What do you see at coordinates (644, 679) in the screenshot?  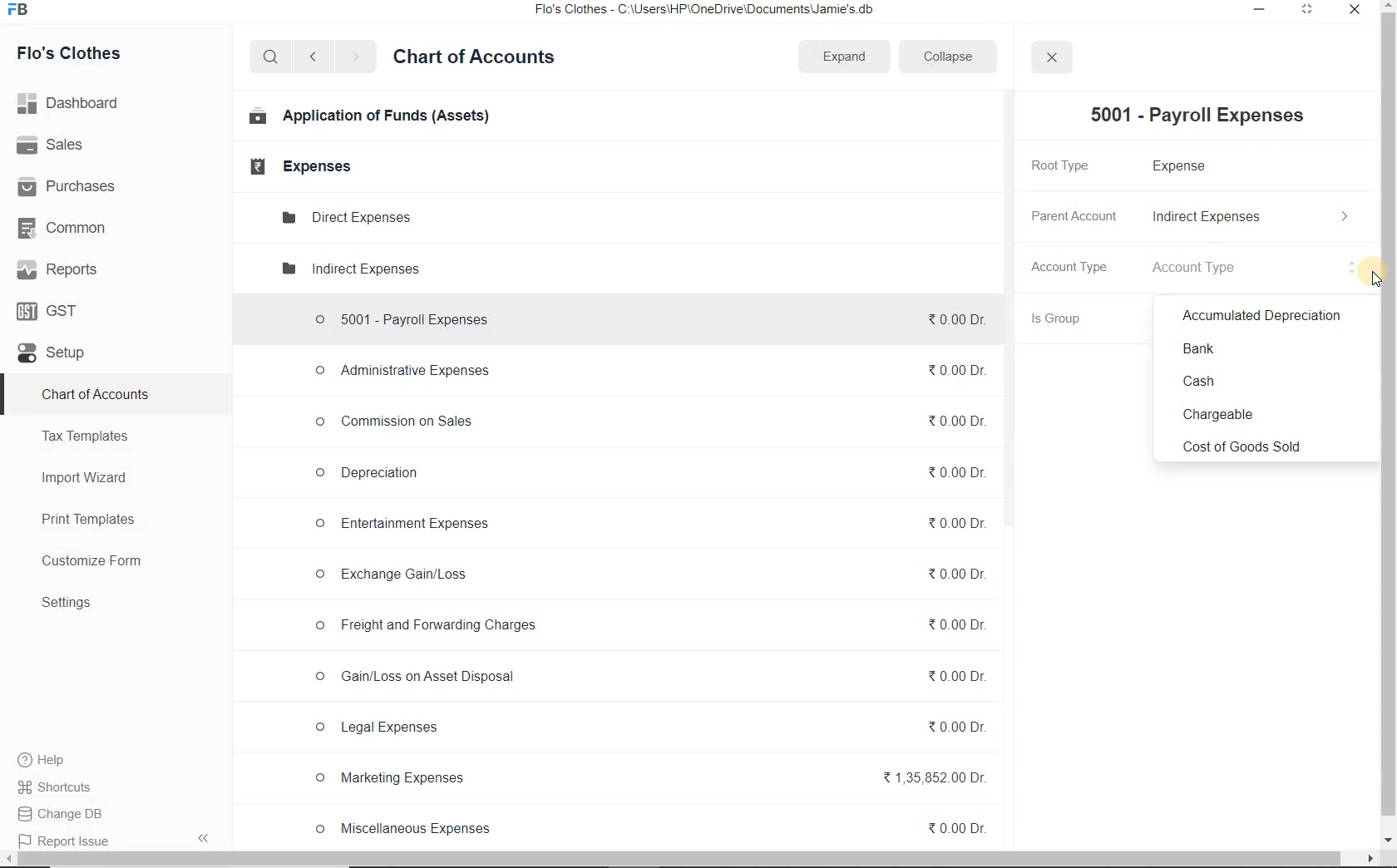 I see `© Gain/Loss on Asset Disposal %0.00Dr.` at bounding box center [644, 679].